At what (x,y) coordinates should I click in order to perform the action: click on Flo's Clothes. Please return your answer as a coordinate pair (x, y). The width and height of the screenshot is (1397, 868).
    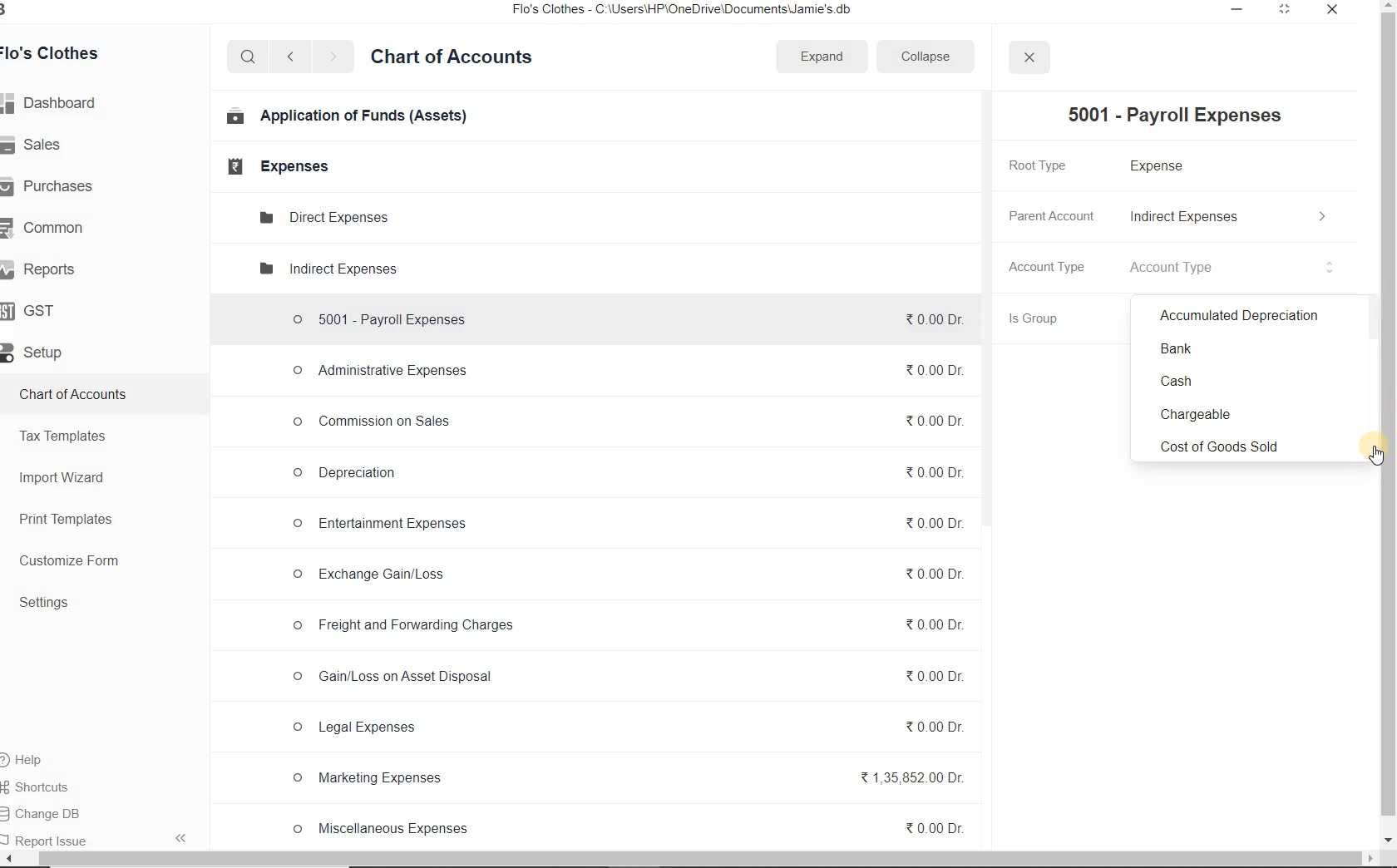
    Looking at the image, I should click on (62, 52).